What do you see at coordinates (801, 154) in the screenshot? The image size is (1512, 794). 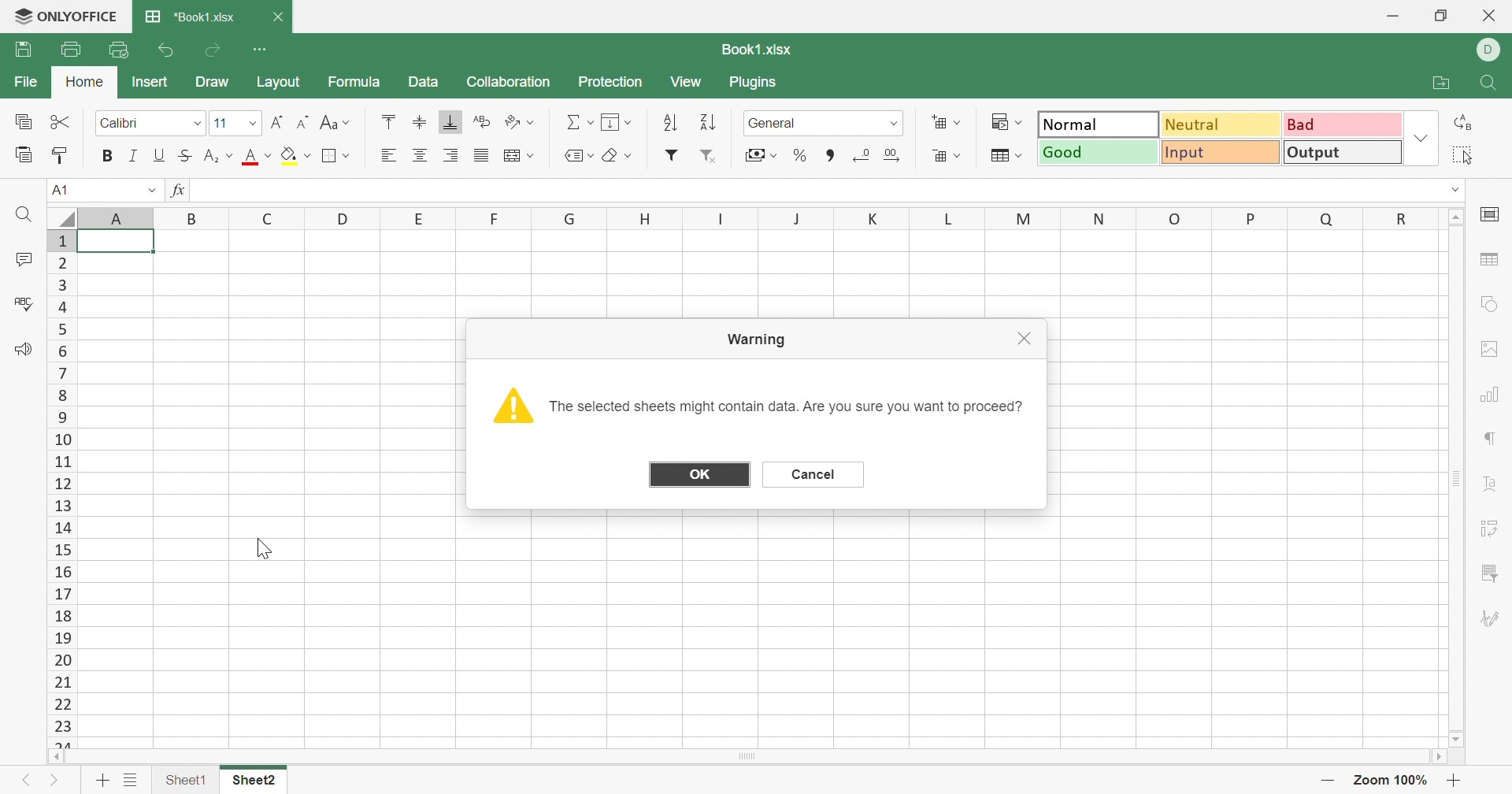 I see `Percentage style` at bounding box center [801, 154].